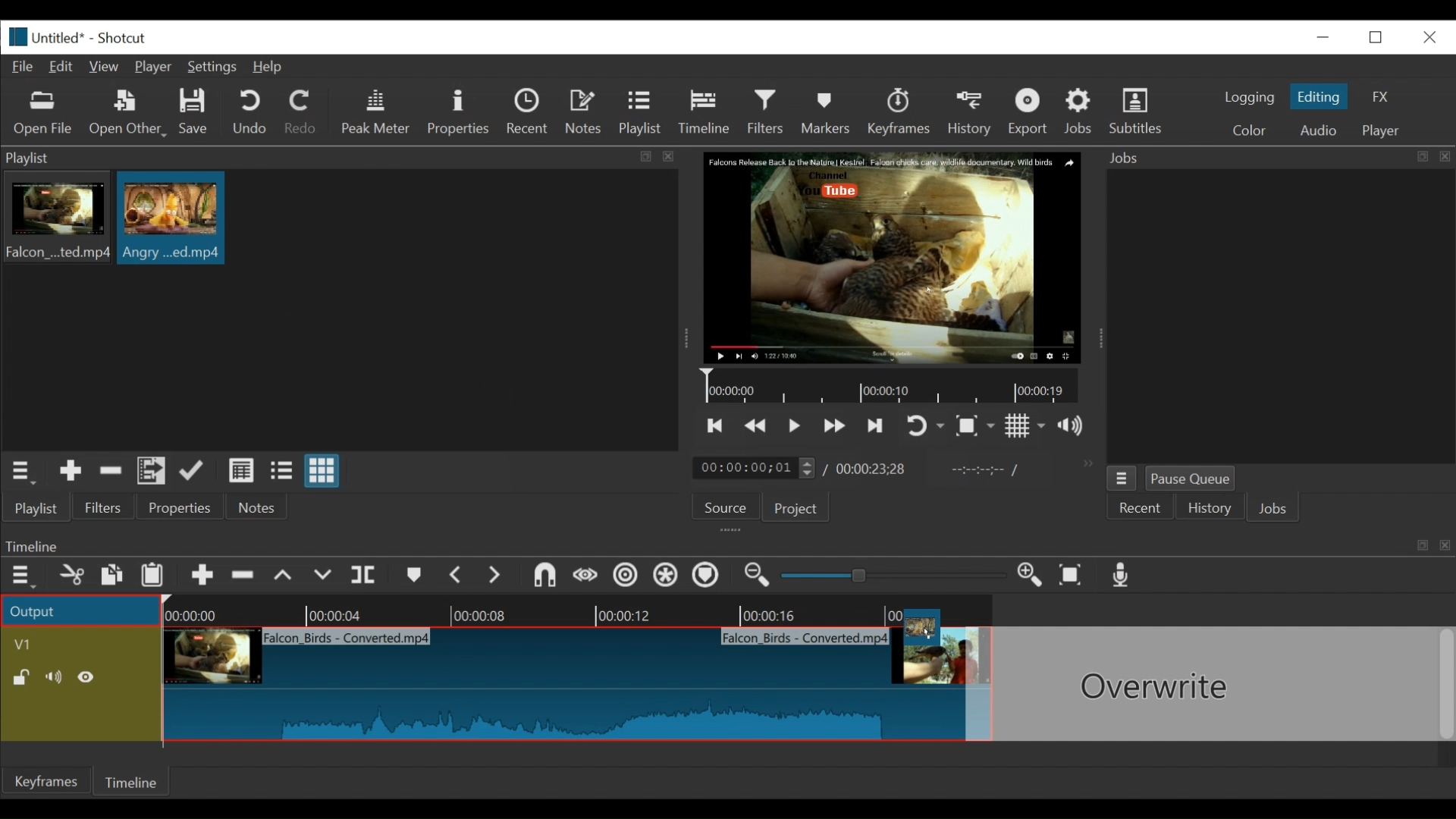 The width and height of the screenshot is (1456, 819). Describe the element at coordinates (1136, 111) in the screenshot. I see `Subtitles` at that location.